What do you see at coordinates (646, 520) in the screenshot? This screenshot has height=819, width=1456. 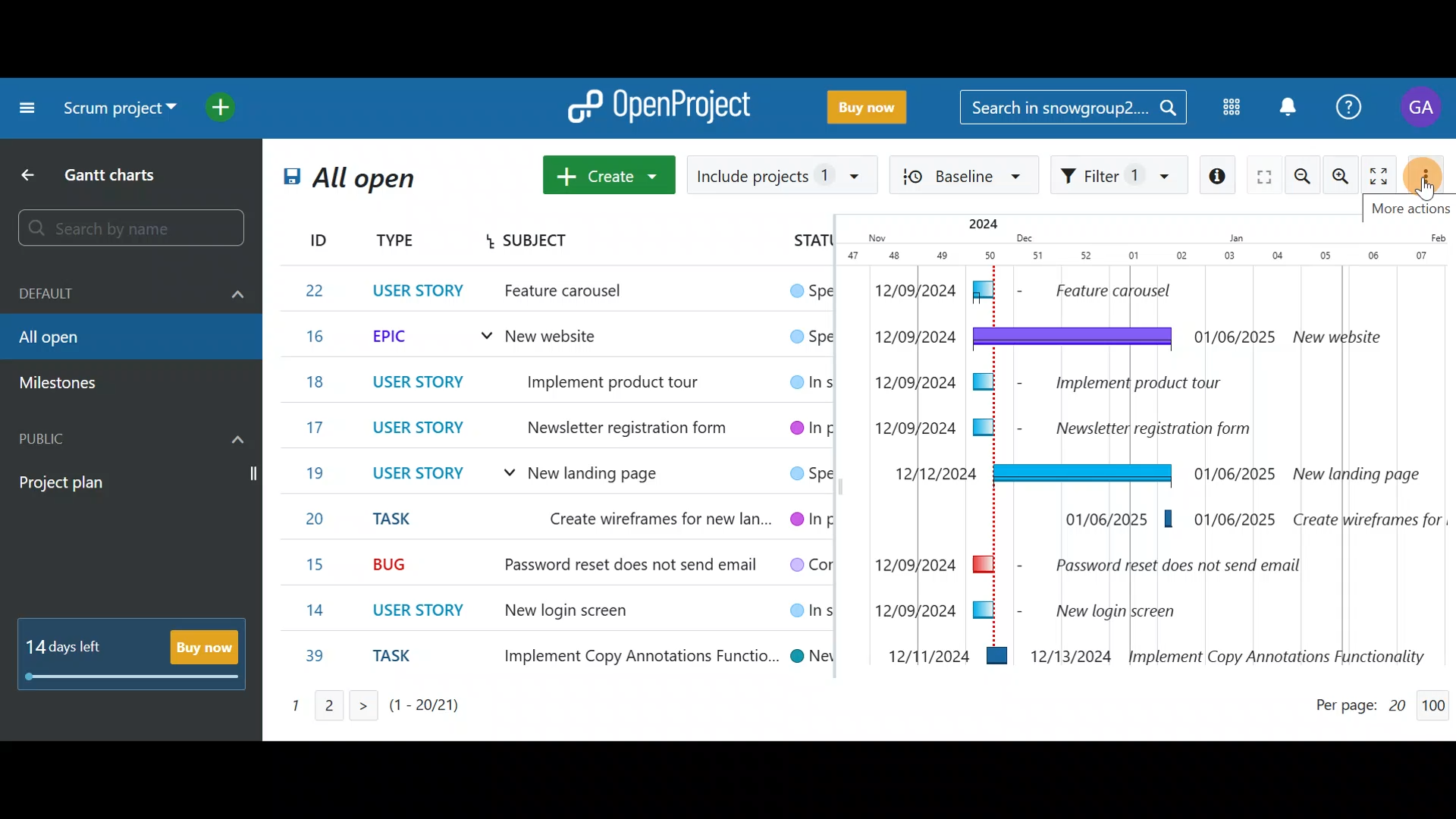 I see `Create wireframes for new lan.` at bounding box center [646, 520].